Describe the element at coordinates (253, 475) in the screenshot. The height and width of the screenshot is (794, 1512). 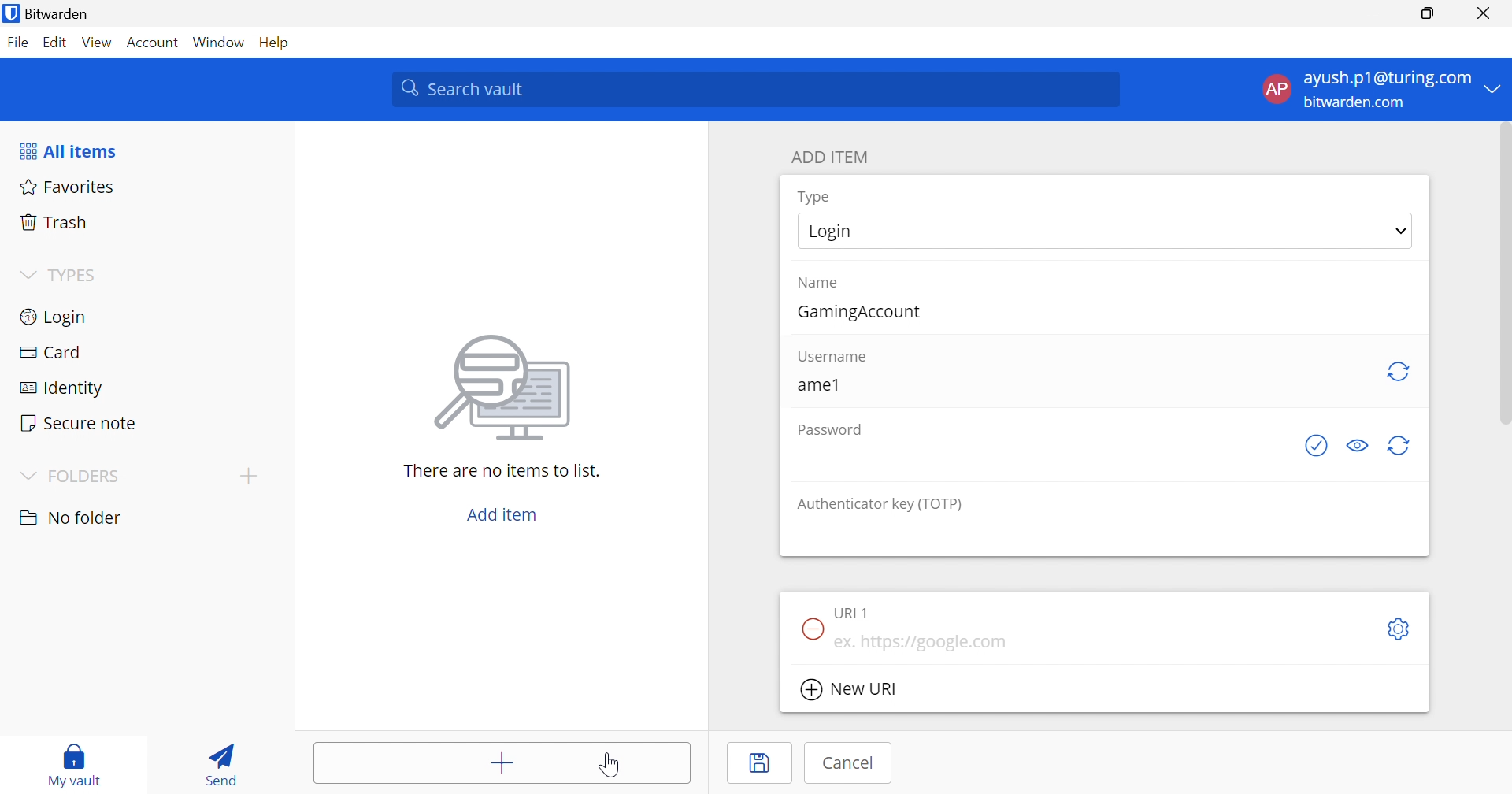
I see `Add folder` at that location.